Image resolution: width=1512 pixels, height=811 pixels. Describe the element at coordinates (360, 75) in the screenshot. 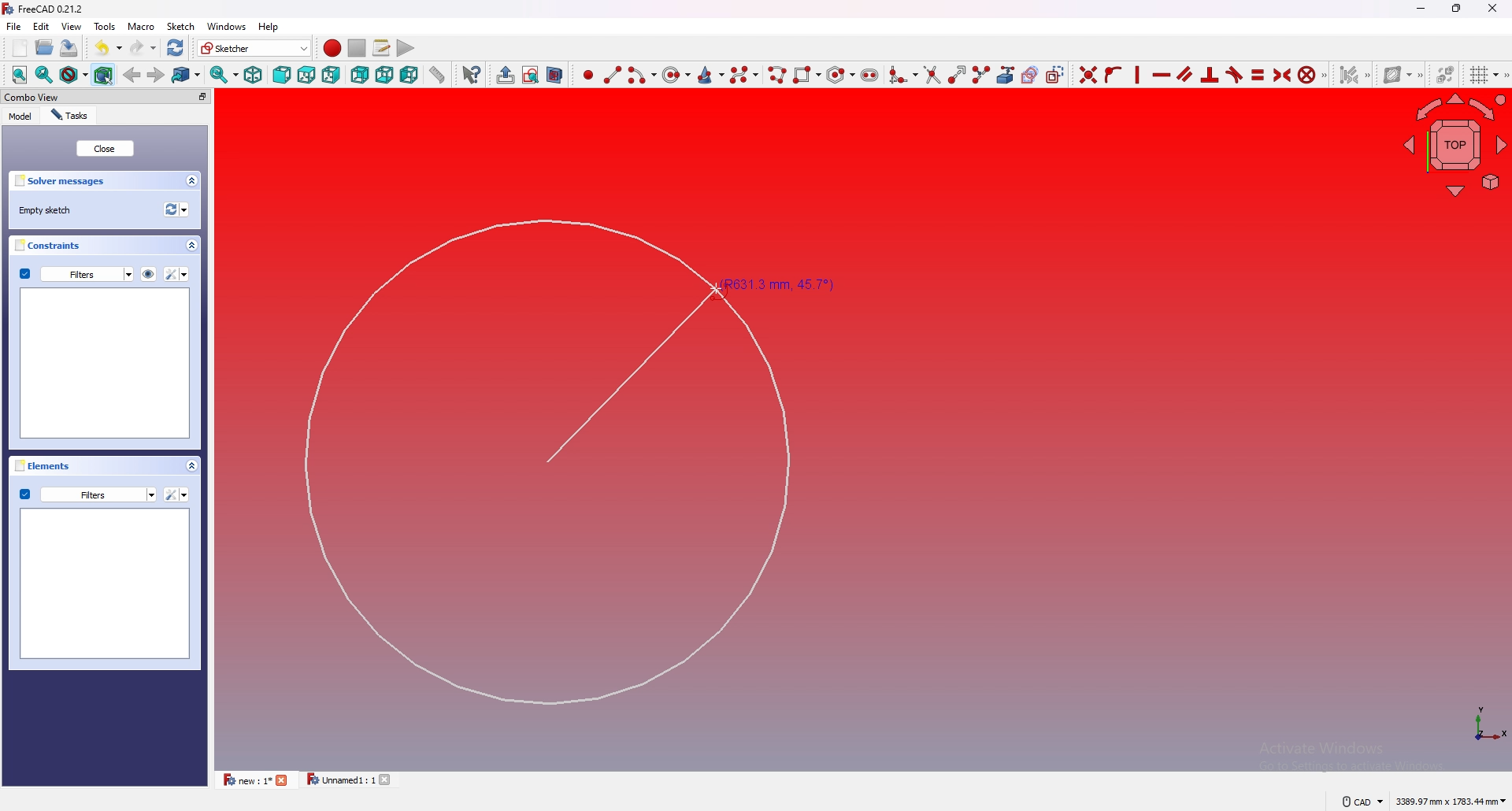

I see `back` at that location.